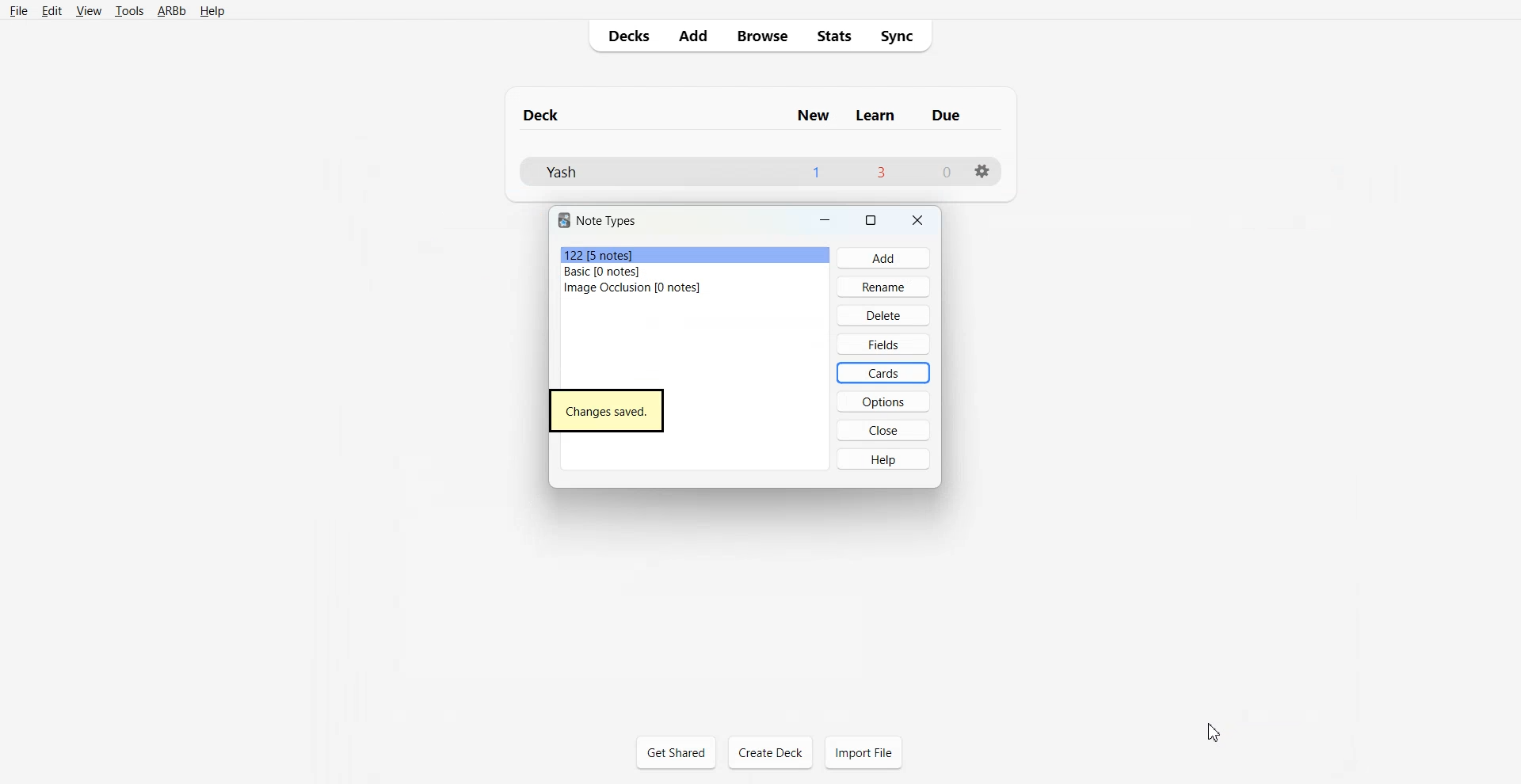  I want to click on close, so click(888, 429).